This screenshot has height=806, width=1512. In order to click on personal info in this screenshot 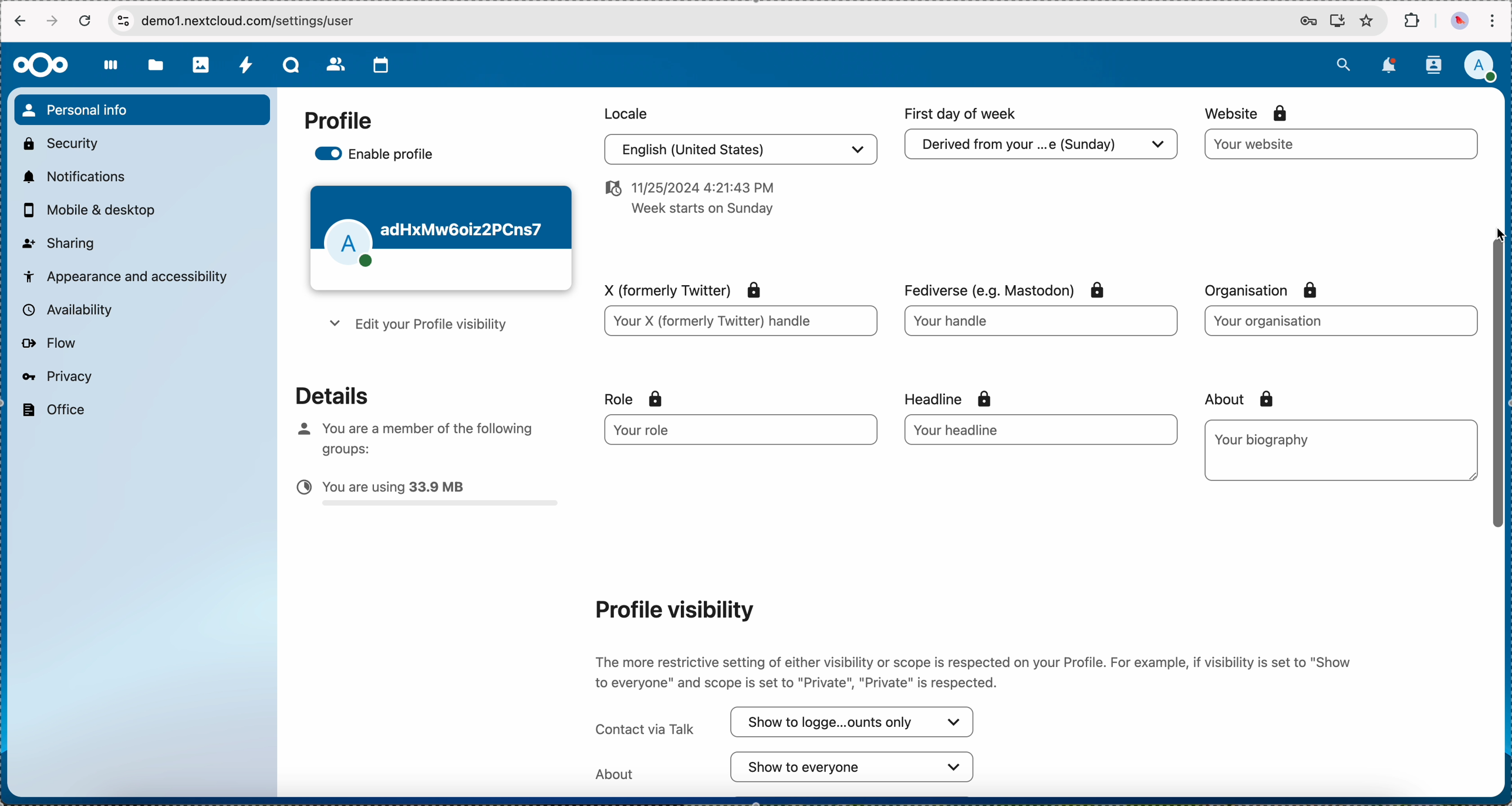, I will do `click(141, 110)`.